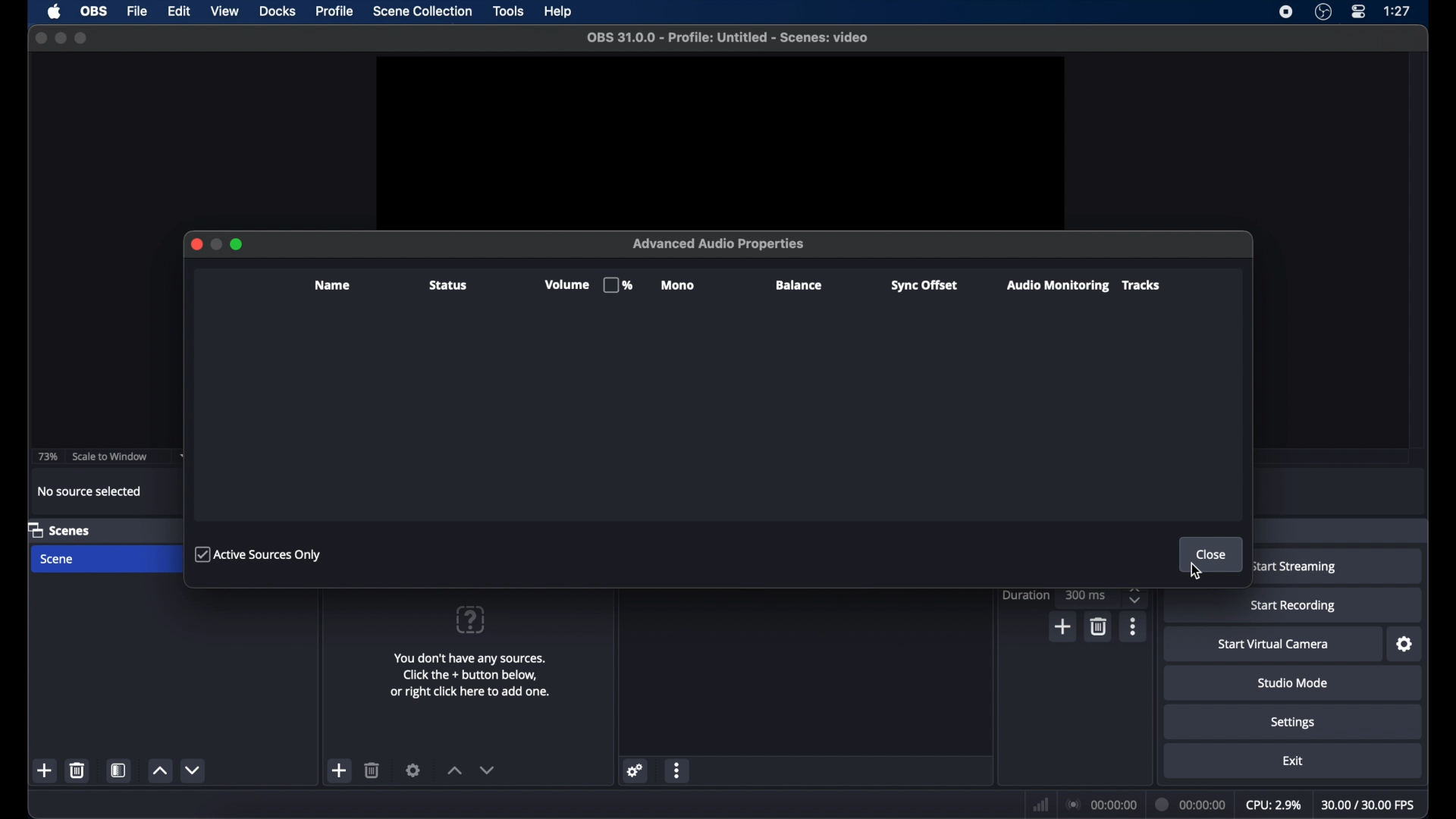  Describe the element at coordinates (372, 770) in the screenshot. I see `delete` at that location.